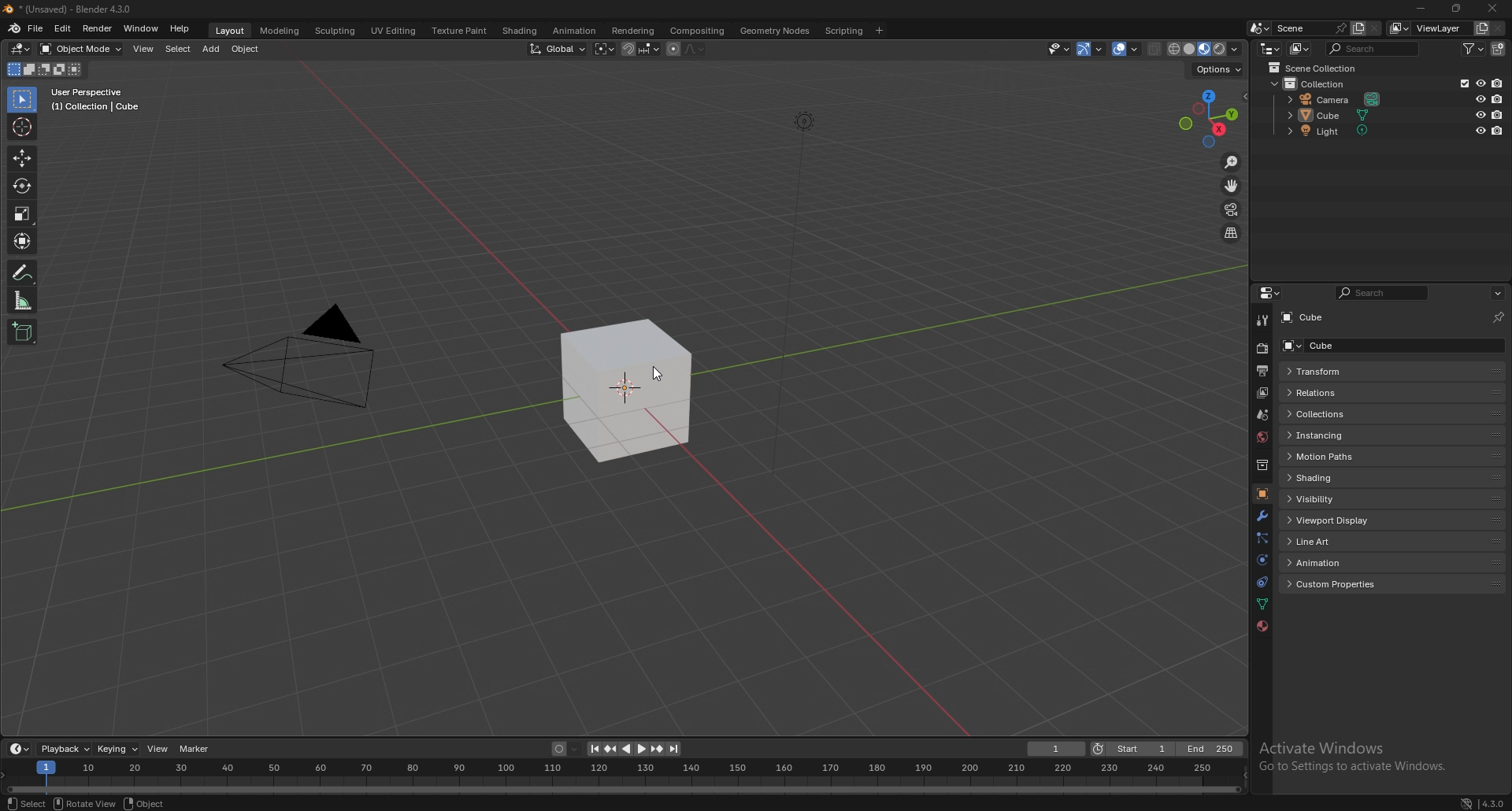 This screenshot has height=811, width=1512. I want to click on exclude from view layer, so click(1462, 83).